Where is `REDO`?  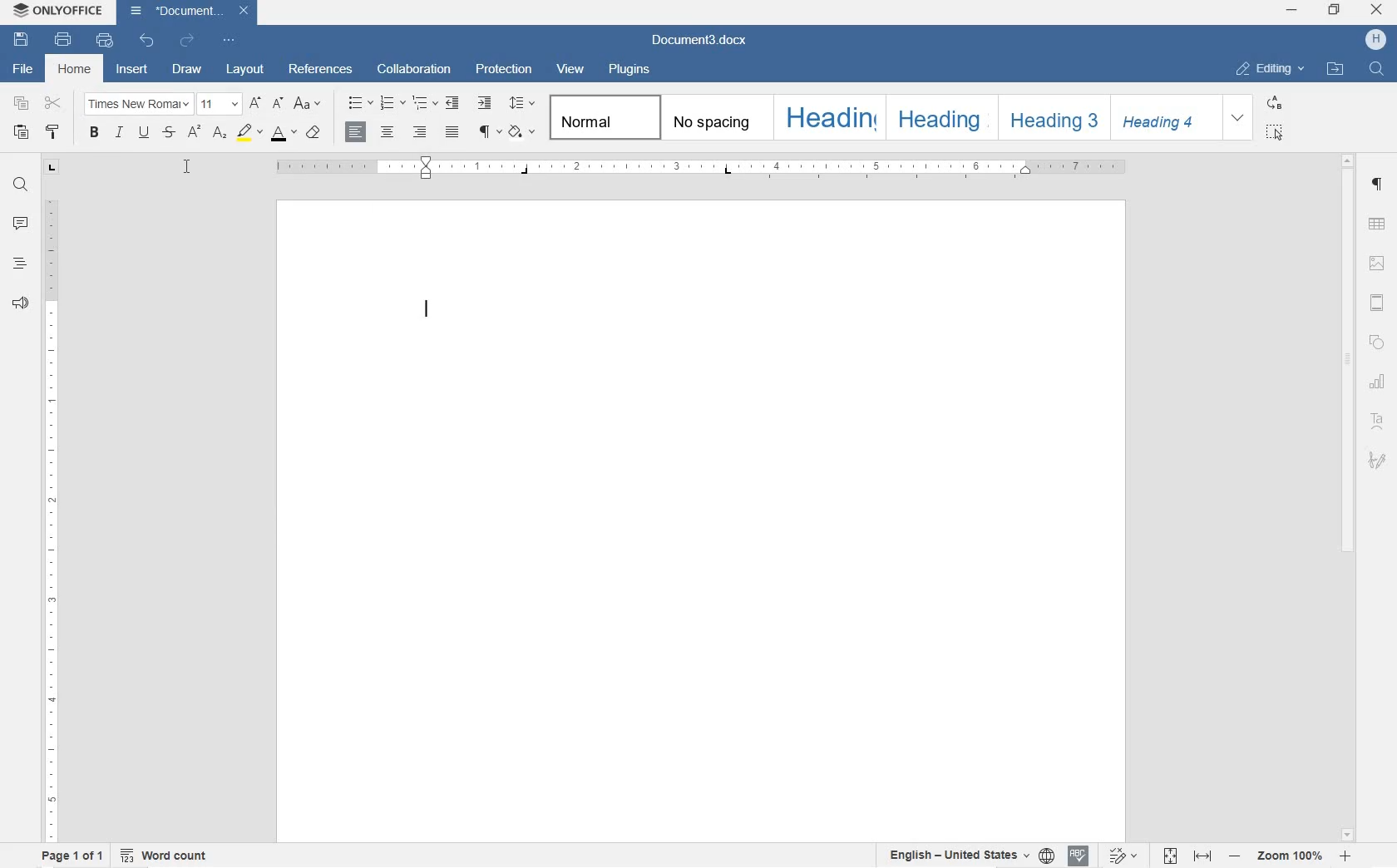
REDO is located at coordinates (185, 41).